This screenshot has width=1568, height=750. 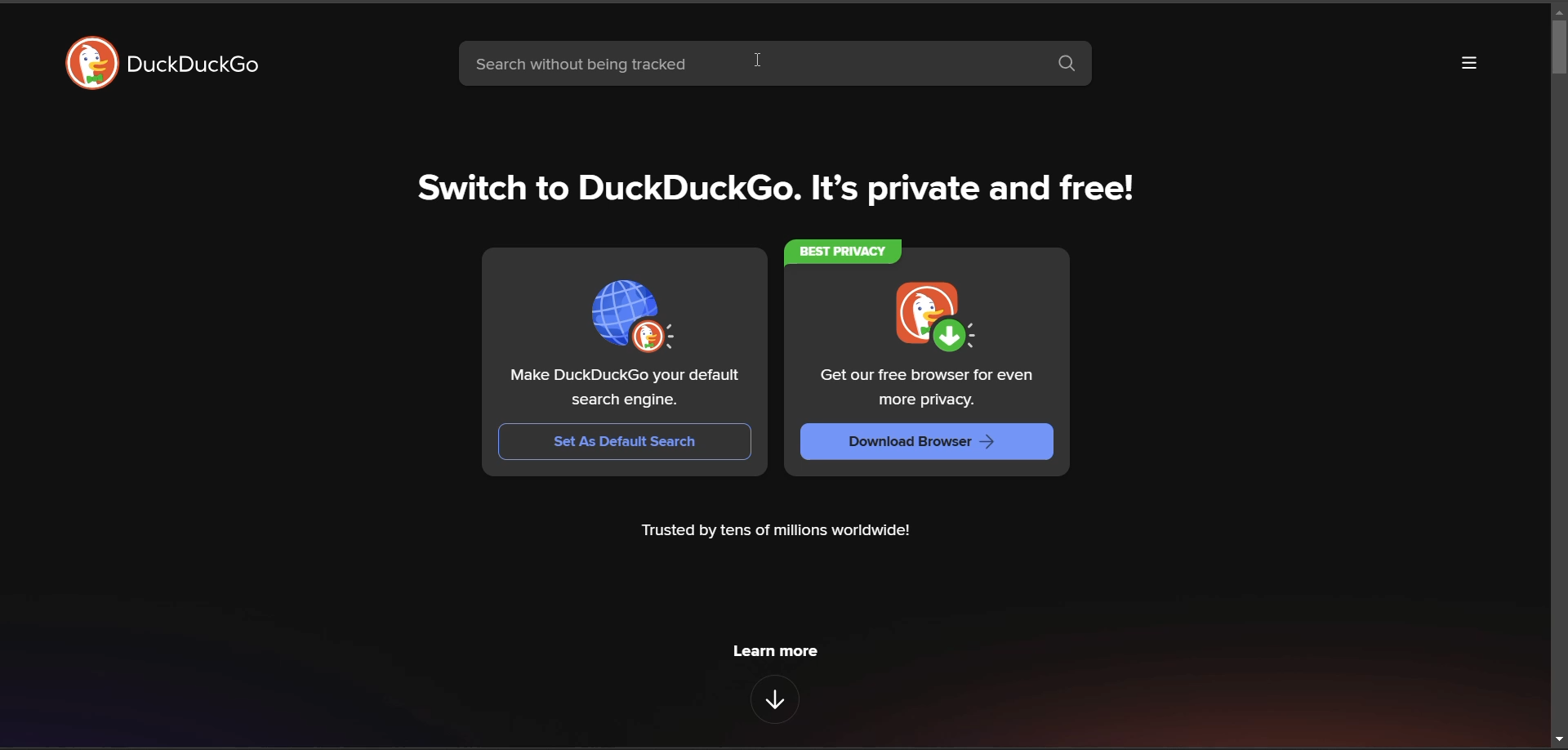 I want to click on Make DuckDuckGo your default search engine., so click(x=625, y=387).